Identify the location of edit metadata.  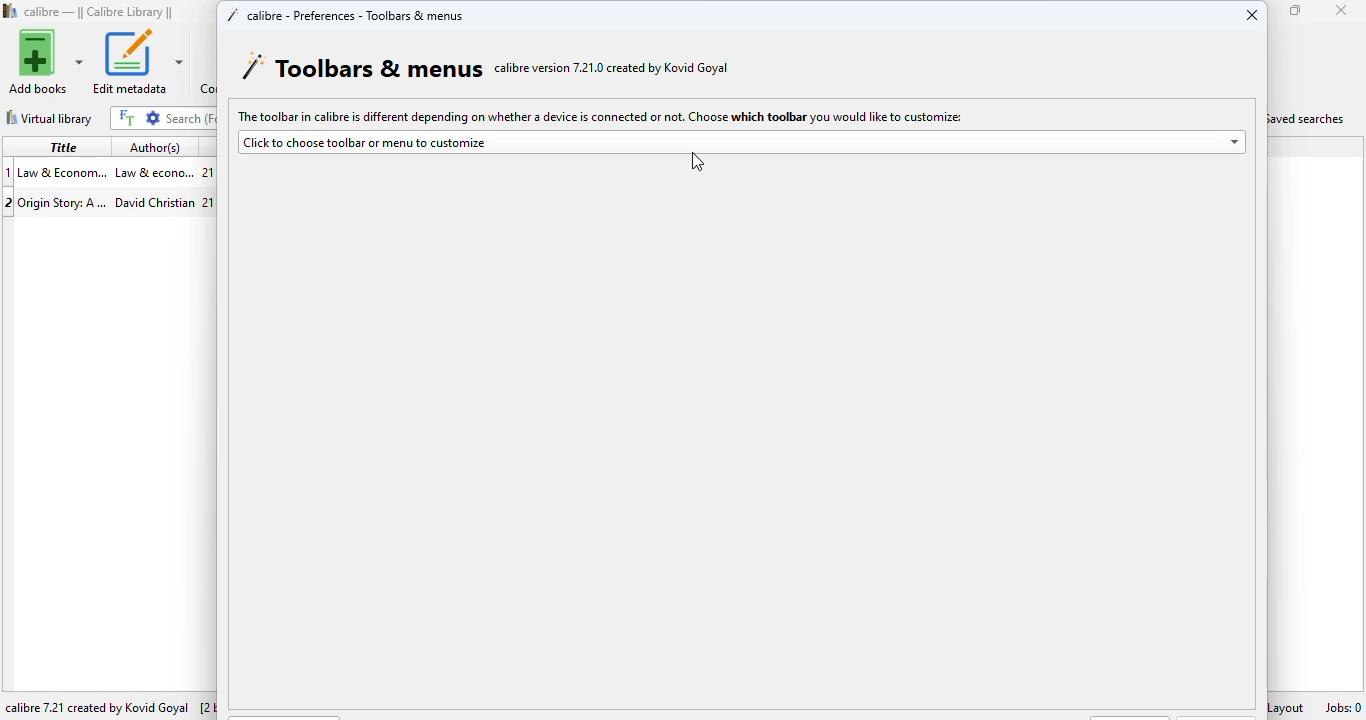
(137, 62).